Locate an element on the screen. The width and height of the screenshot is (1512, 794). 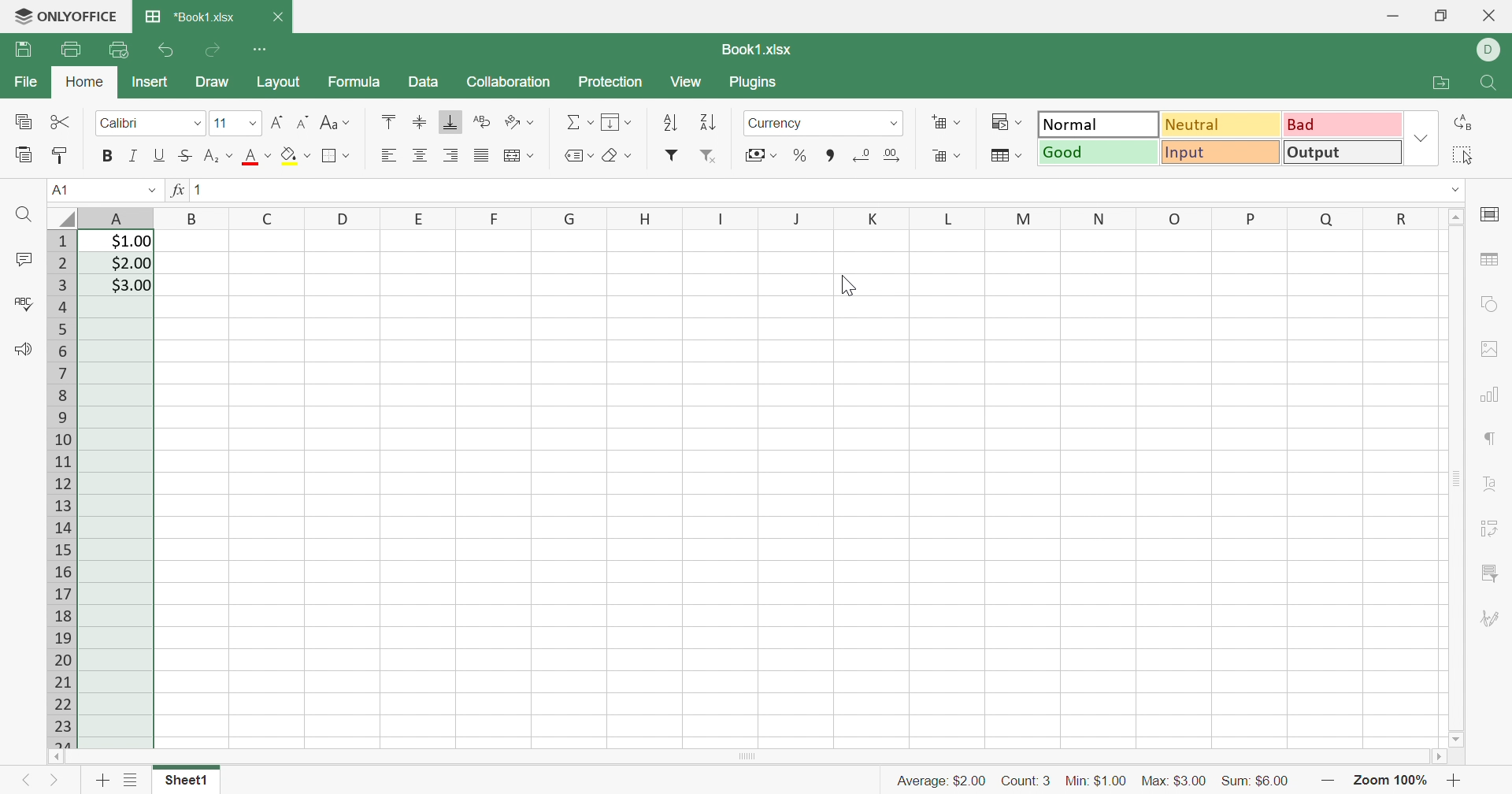
Align middle is located at coordinates (421, 155).